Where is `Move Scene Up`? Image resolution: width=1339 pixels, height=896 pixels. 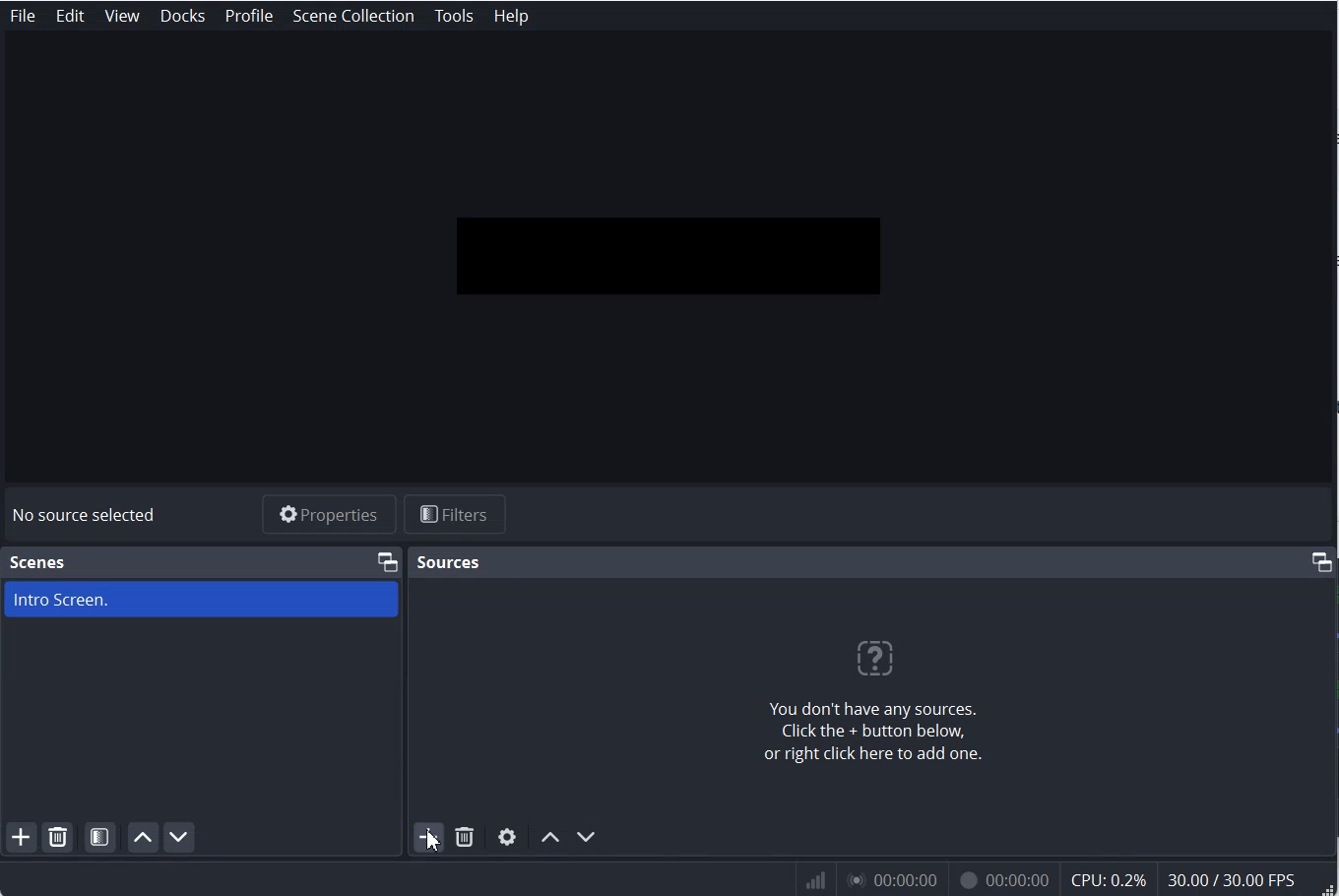 Move Scene Up is located at coordinates (143, 838).